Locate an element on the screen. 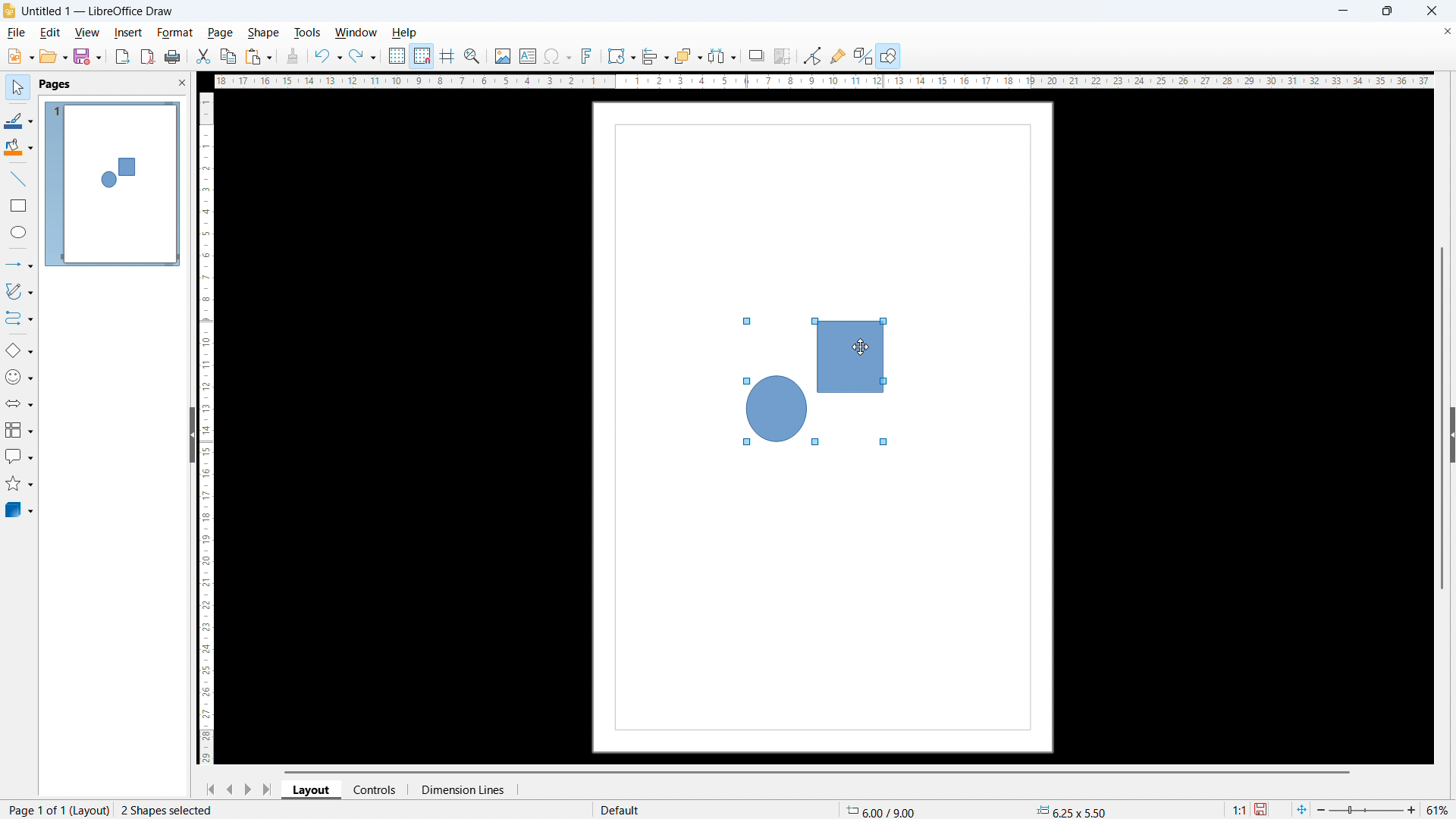  close is located at coordinates (1432, 11).